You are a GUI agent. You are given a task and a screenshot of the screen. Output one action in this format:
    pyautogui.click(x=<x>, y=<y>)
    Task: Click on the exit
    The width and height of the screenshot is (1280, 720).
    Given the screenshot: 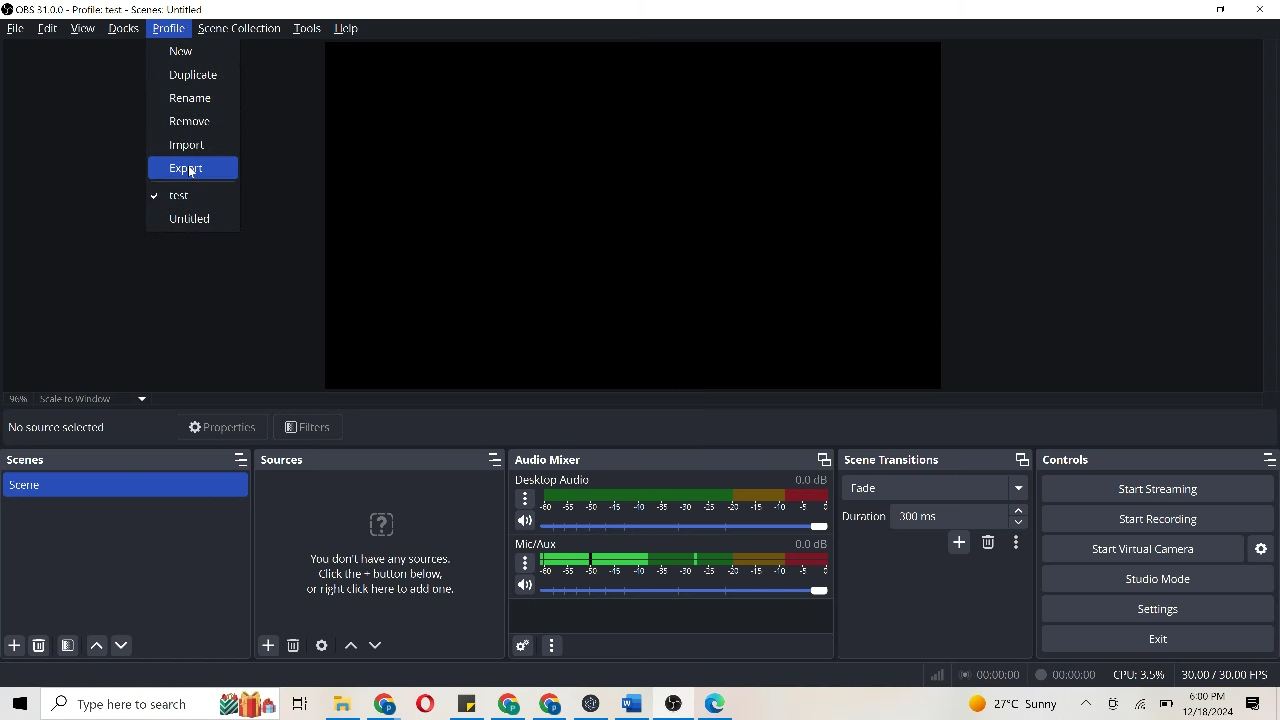 What is the action you would take?
    pyautogui.click(x=1156, y=636)
    